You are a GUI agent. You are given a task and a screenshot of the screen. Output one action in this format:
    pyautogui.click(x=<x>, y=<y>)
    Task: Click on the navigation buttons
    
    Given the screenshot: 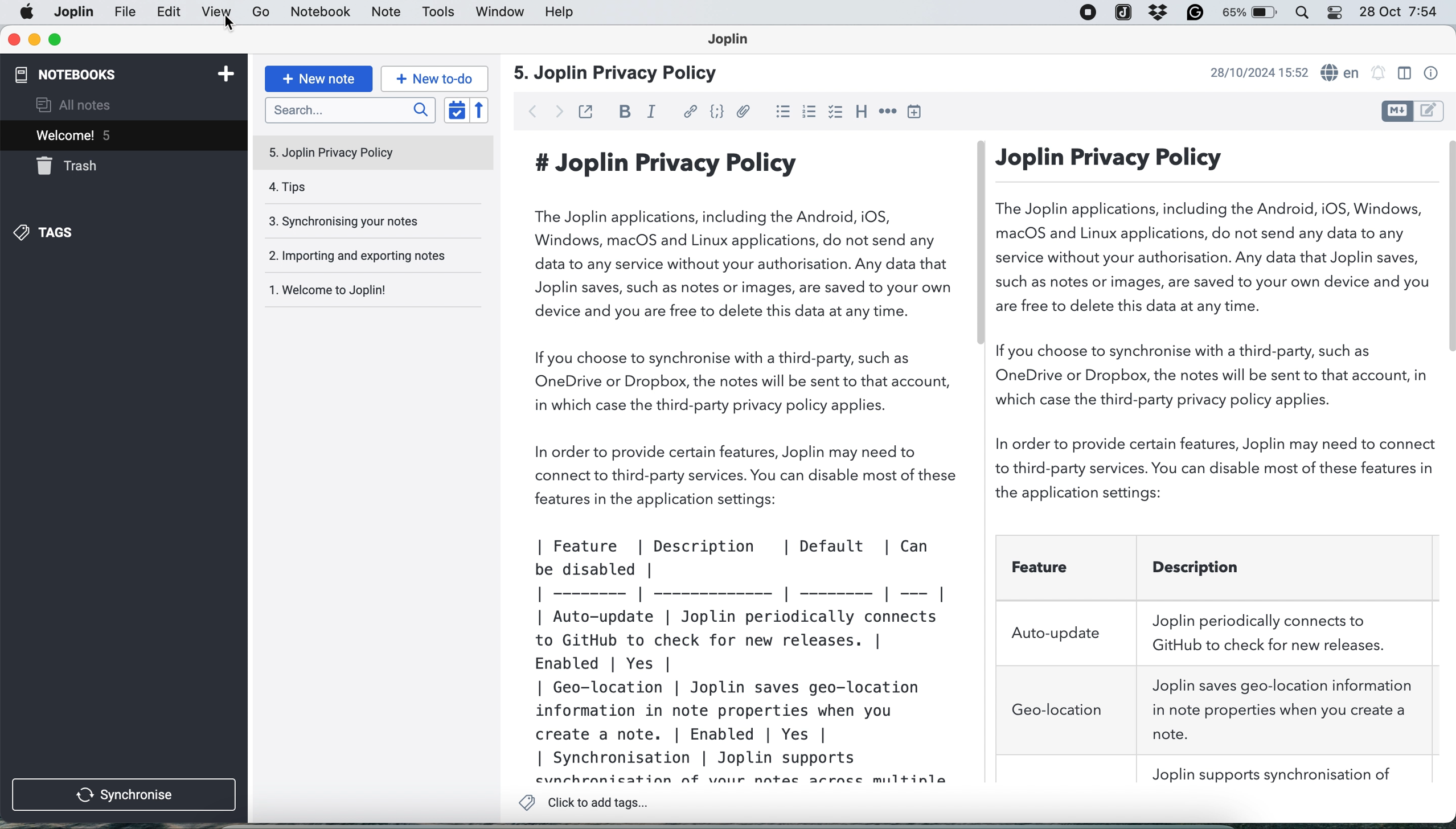 What is the action you would take?
    pyautogui.click(x=546, y=110)
    